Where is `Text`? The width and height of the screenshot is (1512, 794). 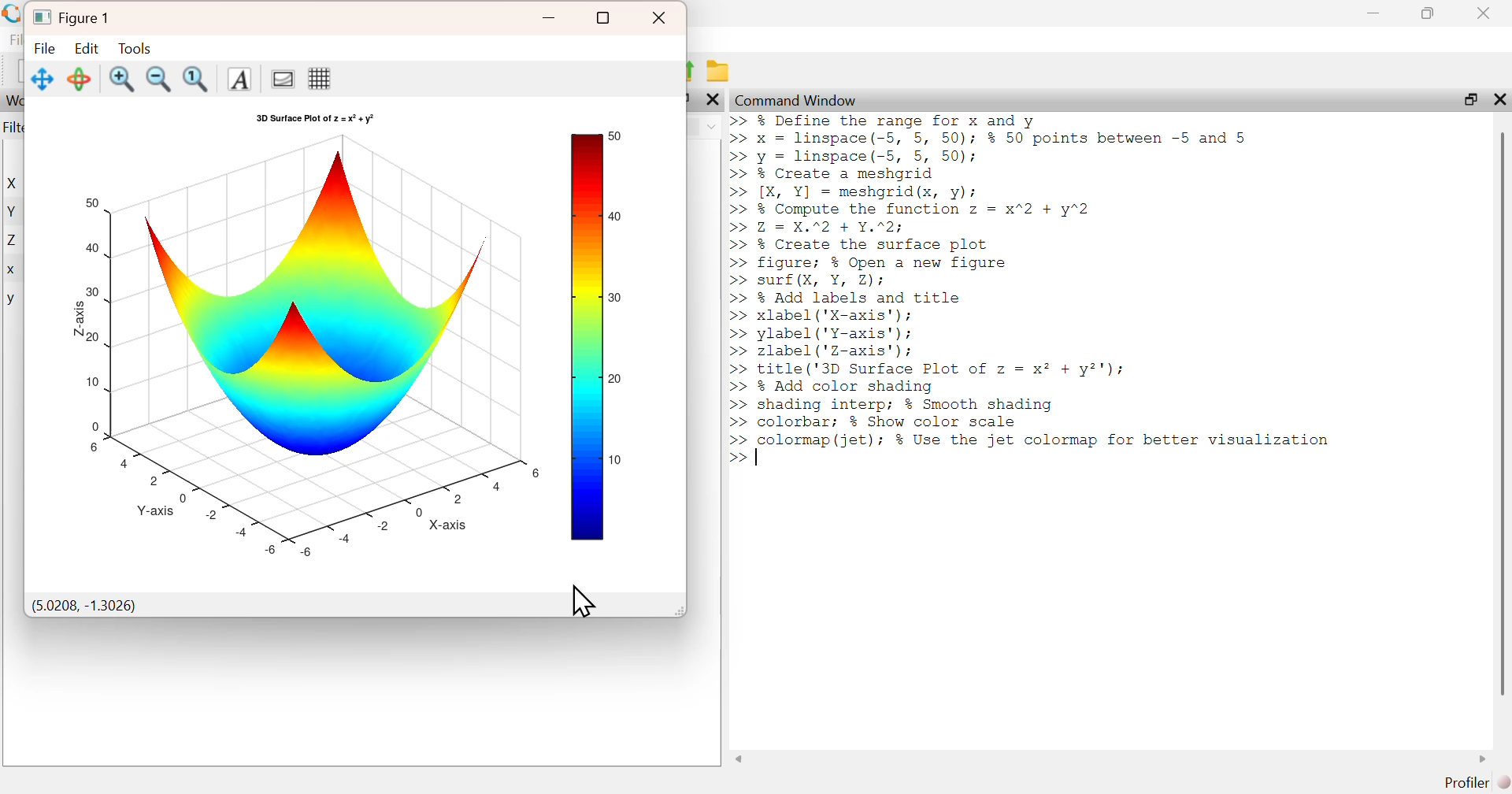
Text is located at coordinates (238, 80).